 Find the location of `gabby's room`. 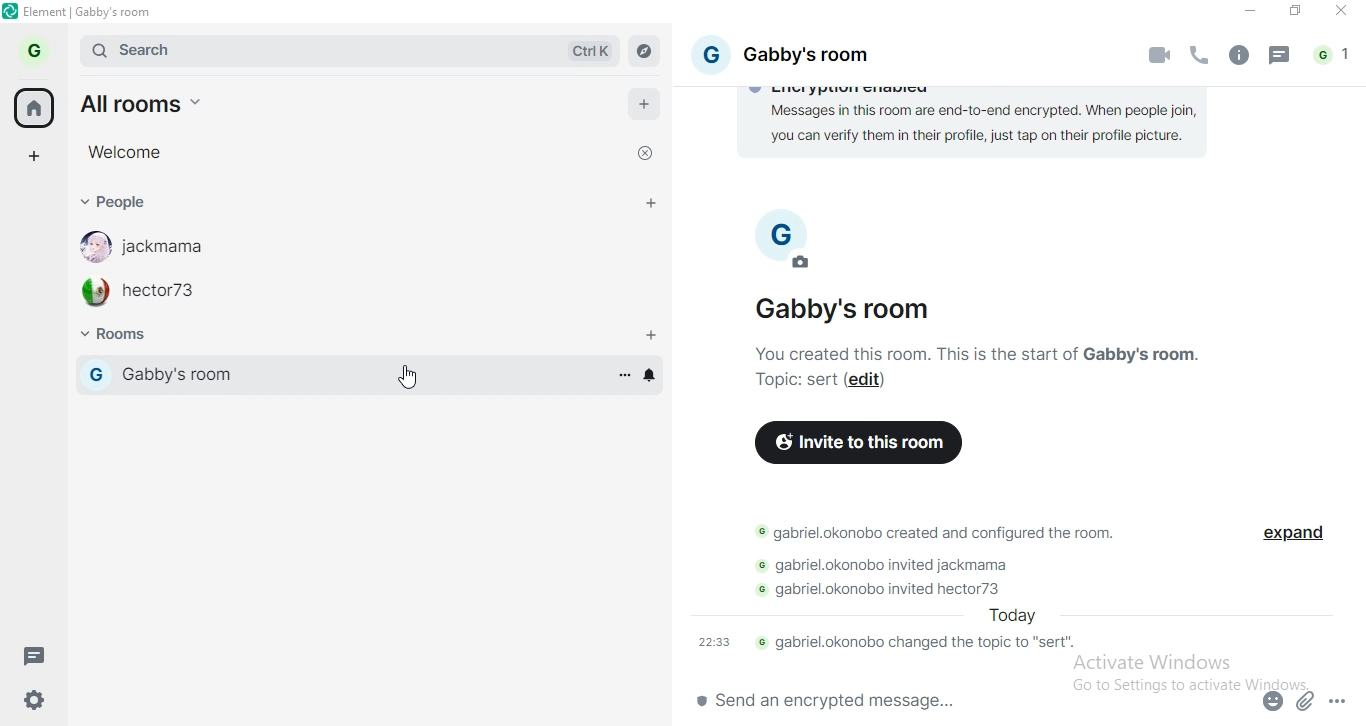

gabby's room is located at coordinates (828, 56).